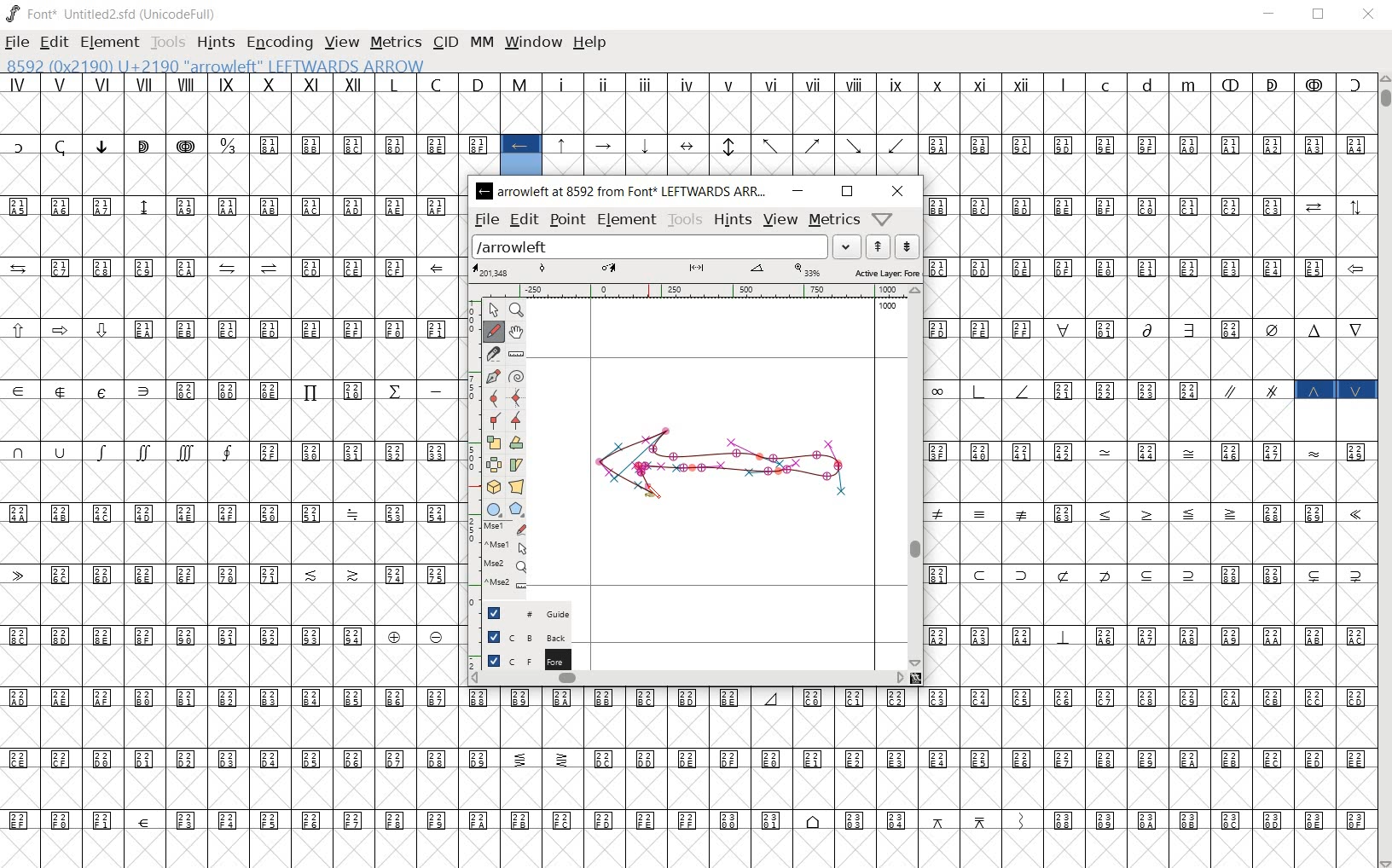 This screenshot has width=1392, height=868. What do you see at coordinates (1270, 14) in the screenshot?
I see `minimize` at bounding box center [1270, 14].